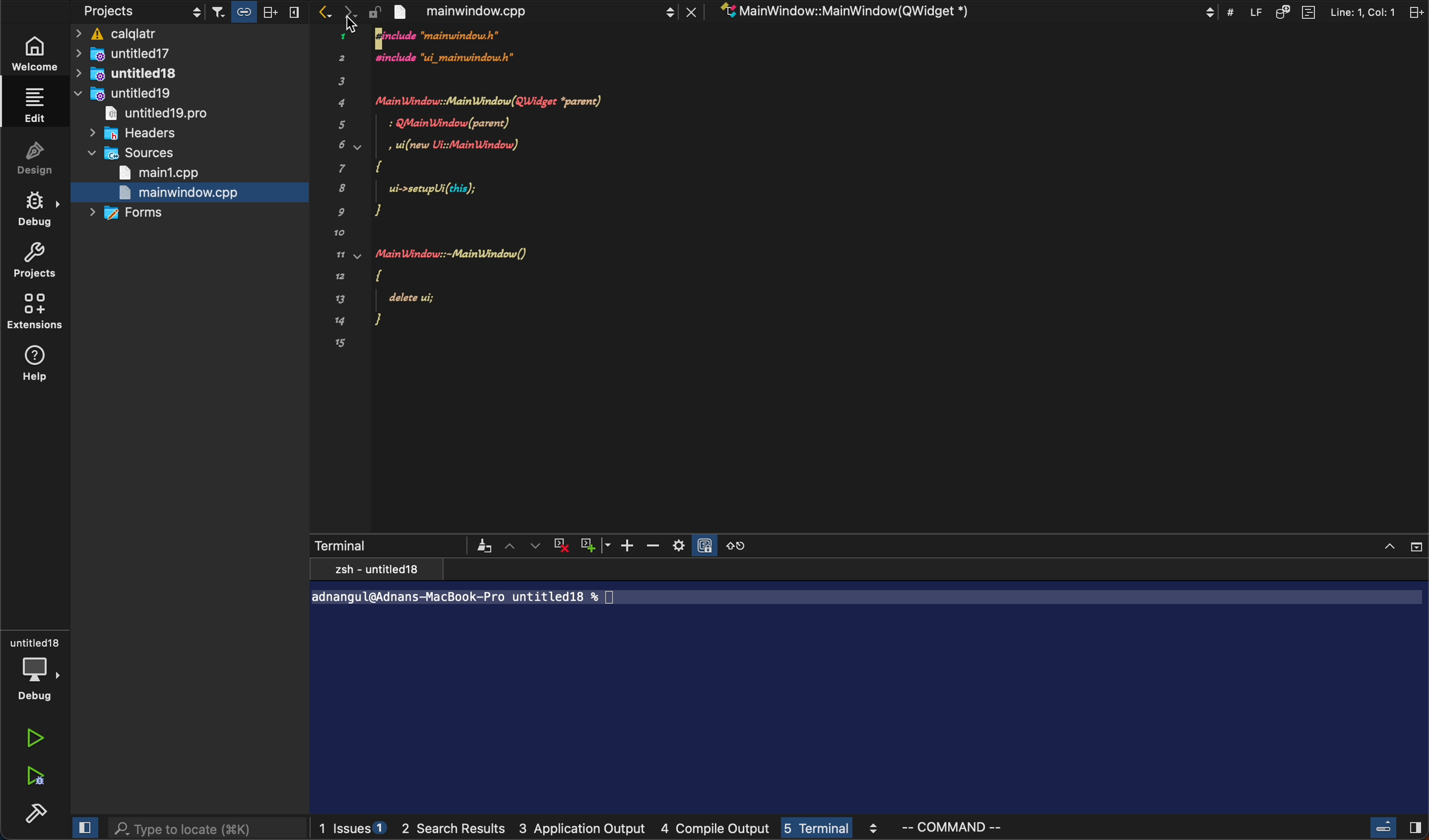 This screenshot has width=1429, height=840. Describe the element at coordinates (150, 53) in the screenshot. I see `untitled17` at that location.